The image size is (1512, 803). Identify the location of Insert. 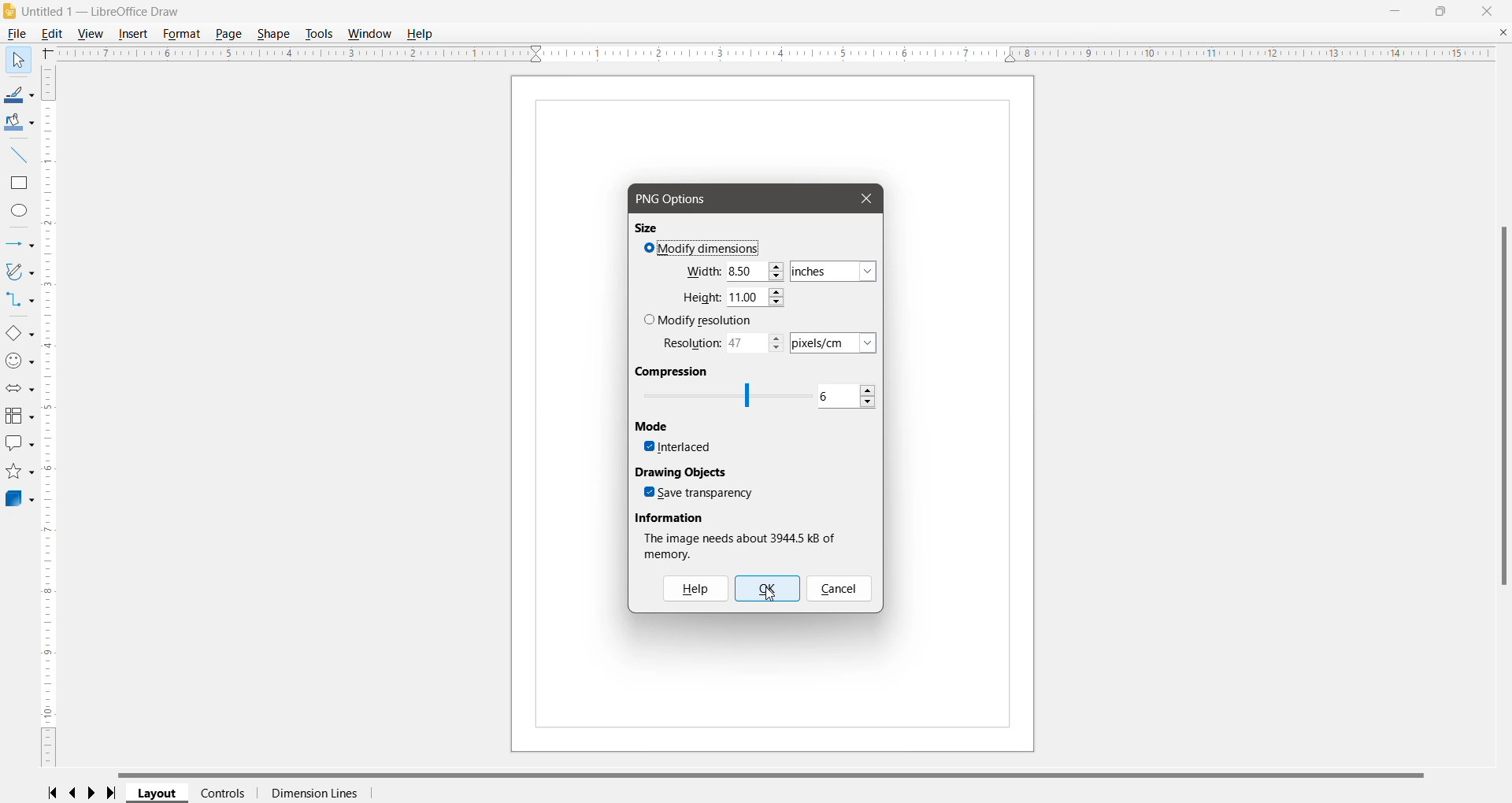
(134, 34).